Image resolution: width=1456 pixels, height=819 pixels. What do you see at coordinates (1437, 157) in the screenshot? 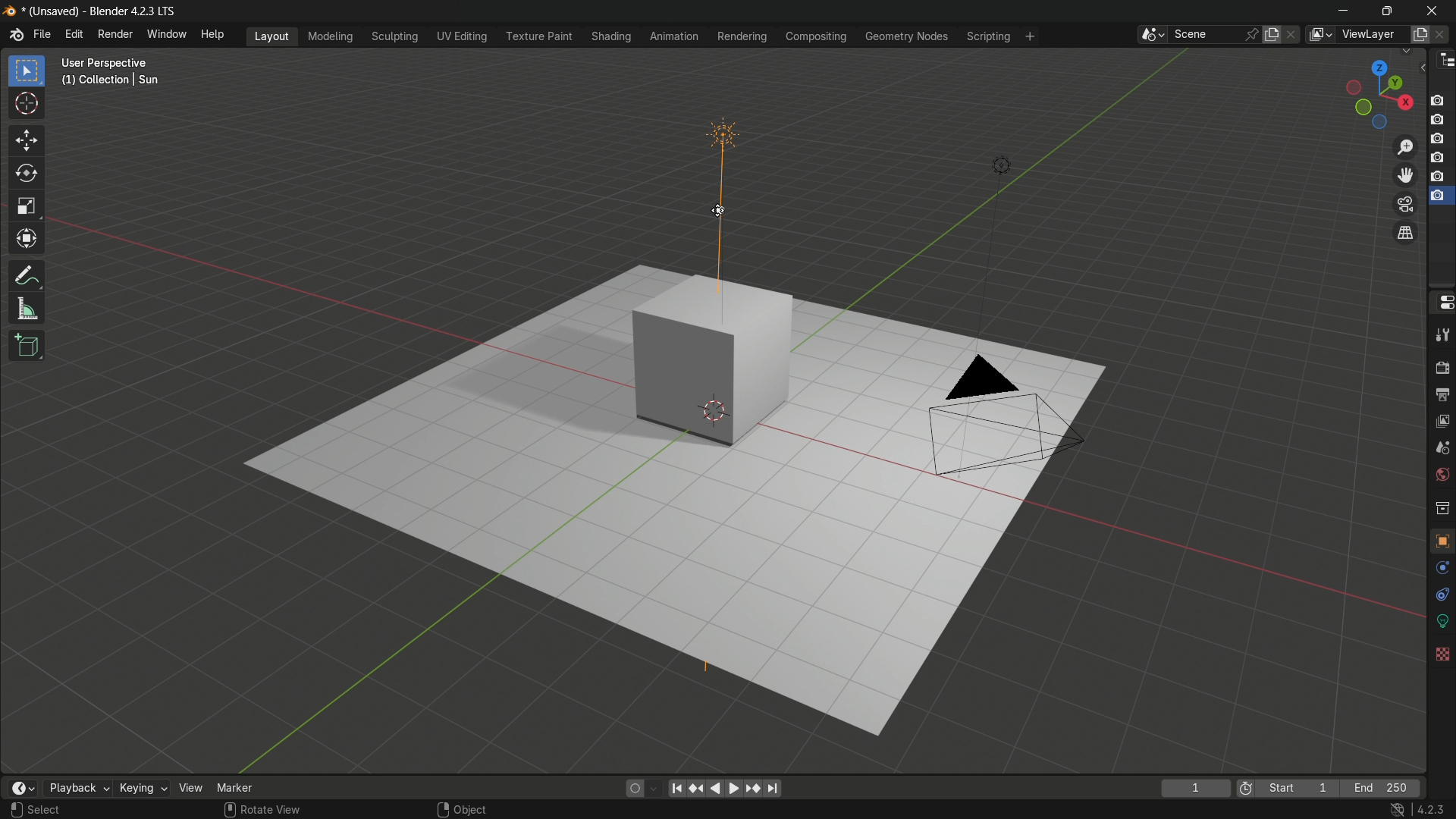
I see `layer 4` at bounding box center [1437, 157].